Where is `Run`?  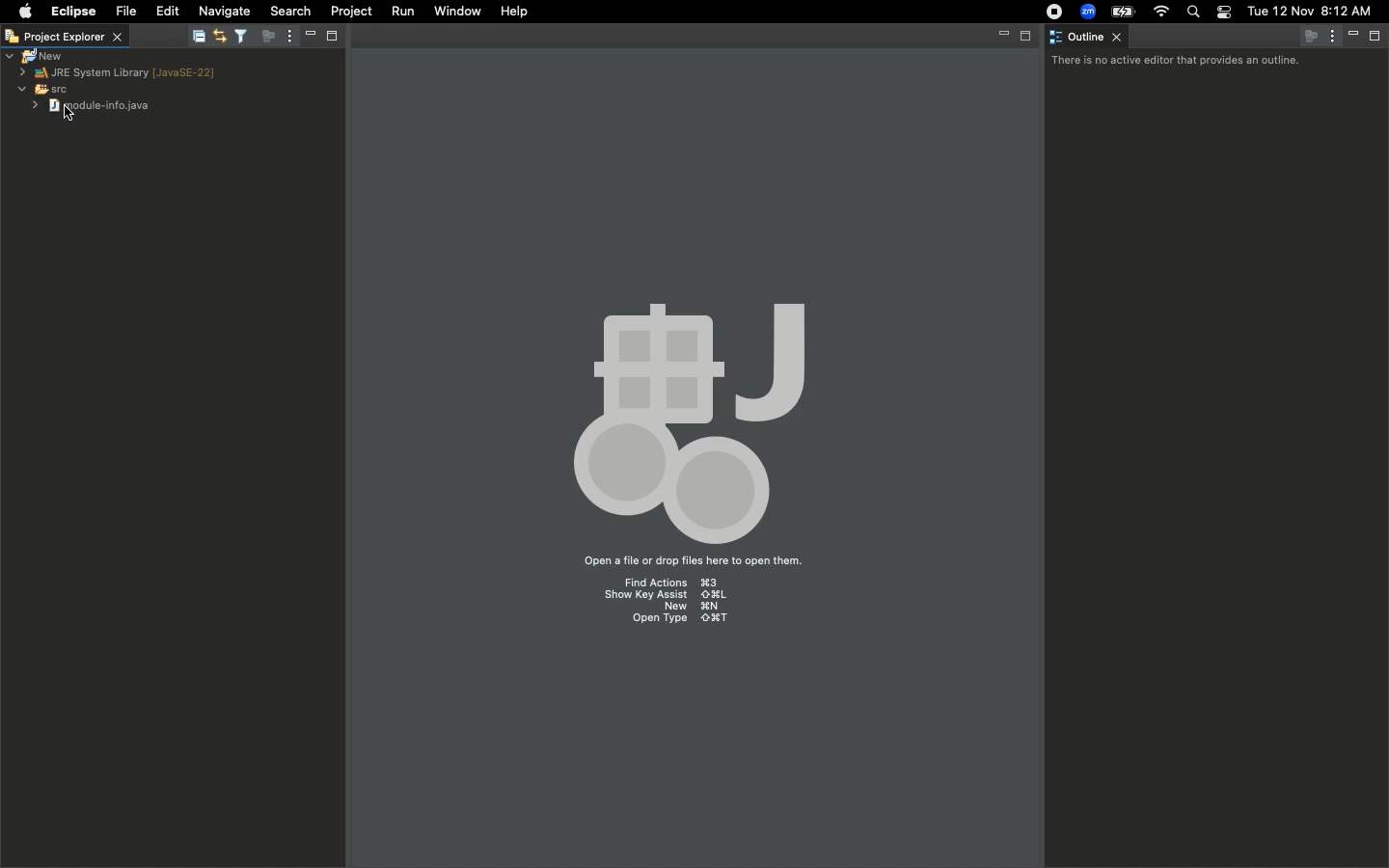 Run is located at coordinates (399, 11).